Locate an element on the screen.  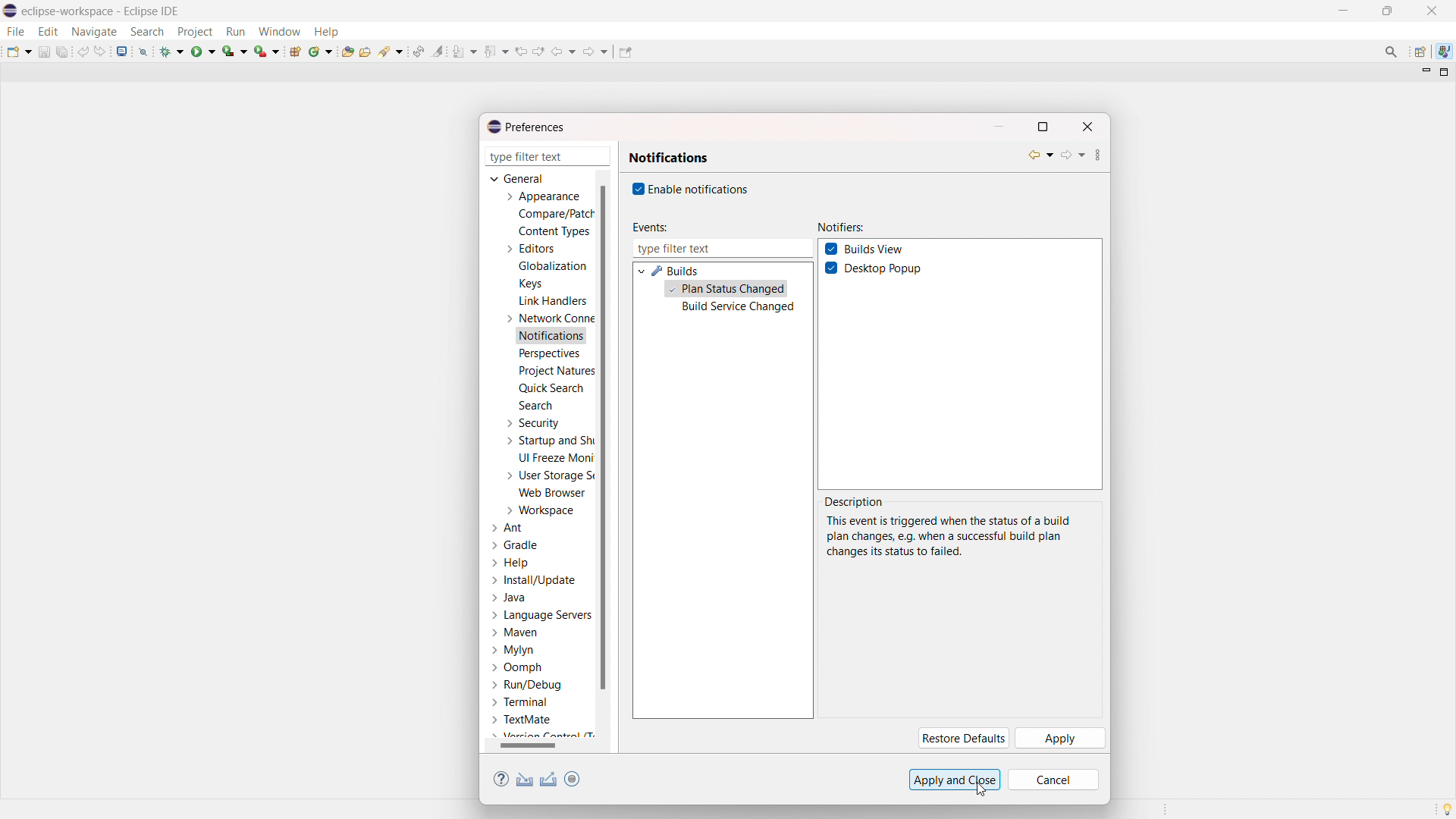
forward is located at coordinates (1072, 155).